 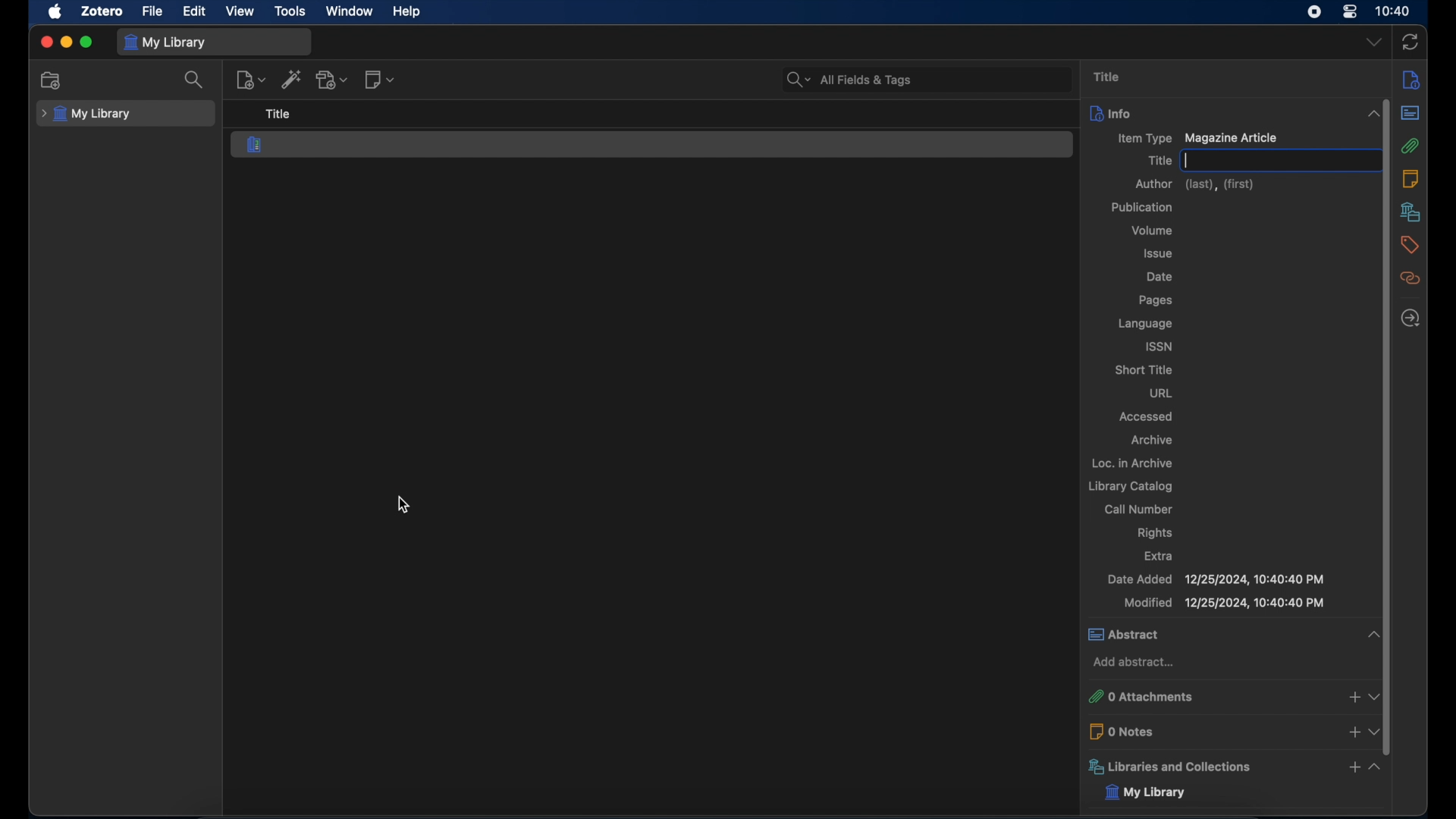 What do you see at coordinates (1414, 146) in the screenshot?
I see `attachments` at bounding box center [1414, 146].